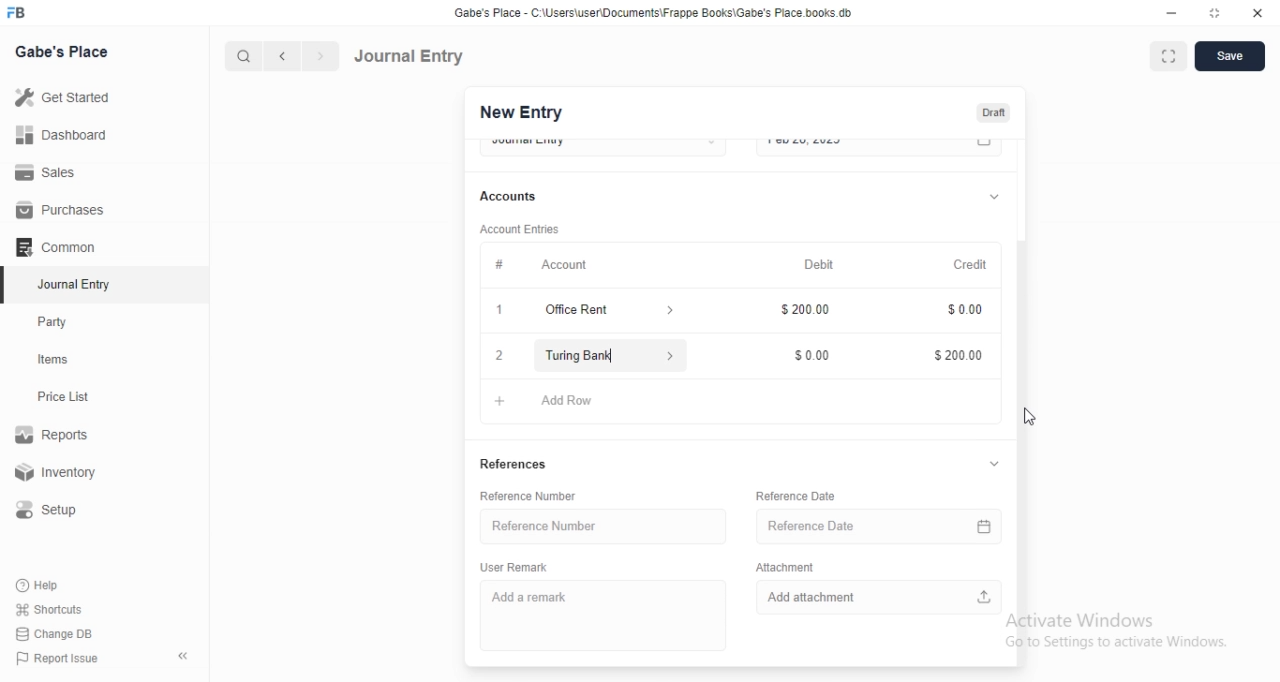 Image resolution: width=1280 pixels, height=682 pixels. I want to click on Add a remark, so click(538, 596).